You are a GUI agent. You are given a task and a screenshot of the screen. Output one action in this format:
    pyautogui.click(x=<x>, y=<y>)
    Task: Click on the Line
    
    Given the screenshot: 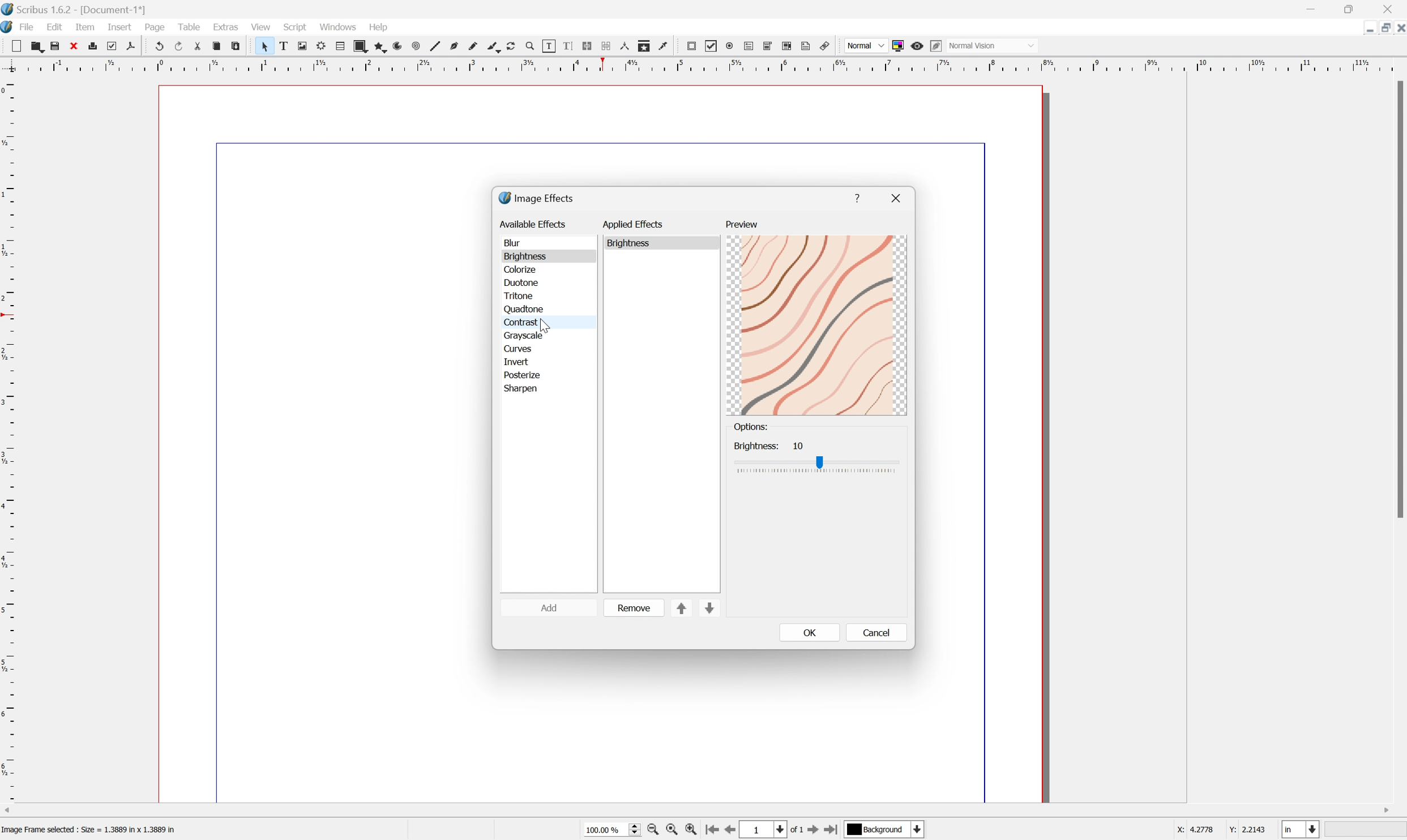 What is the action you would take?
    pyautogui.click(x=438, y=44)
    